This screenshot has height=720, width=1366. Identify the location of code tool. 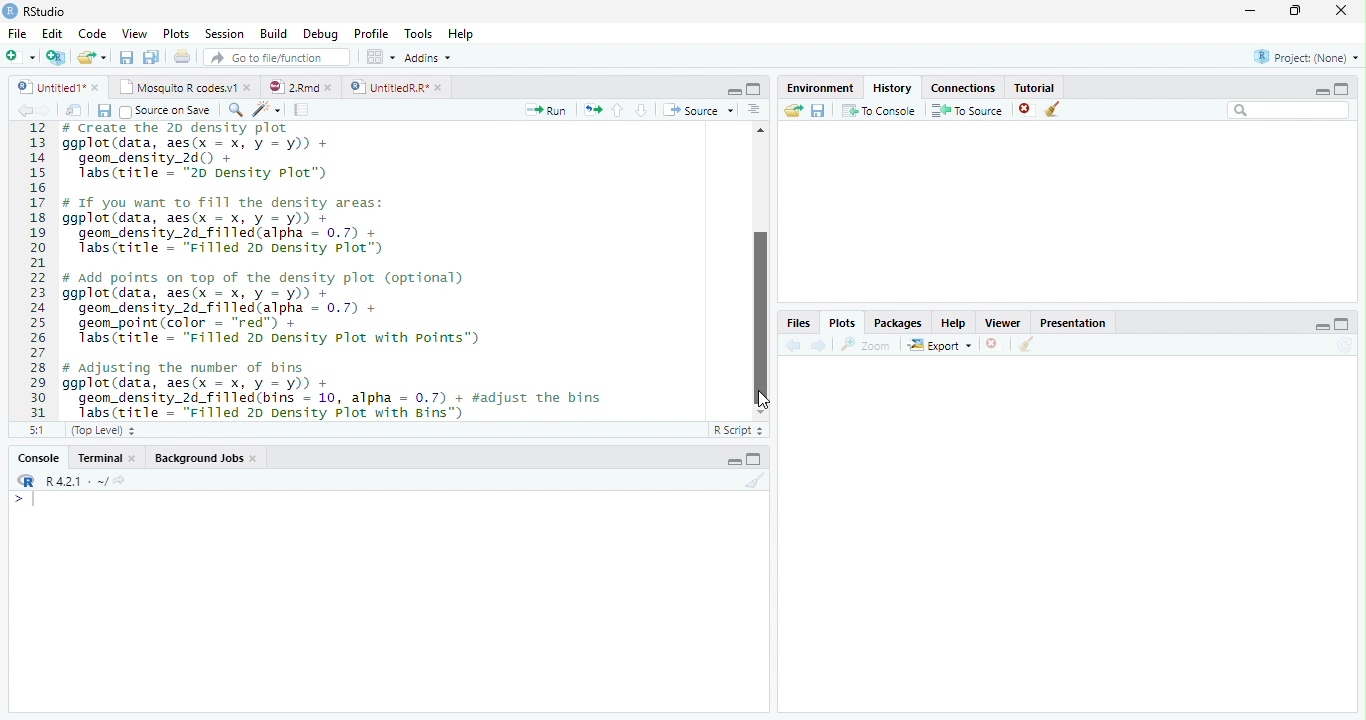
(267, 110).